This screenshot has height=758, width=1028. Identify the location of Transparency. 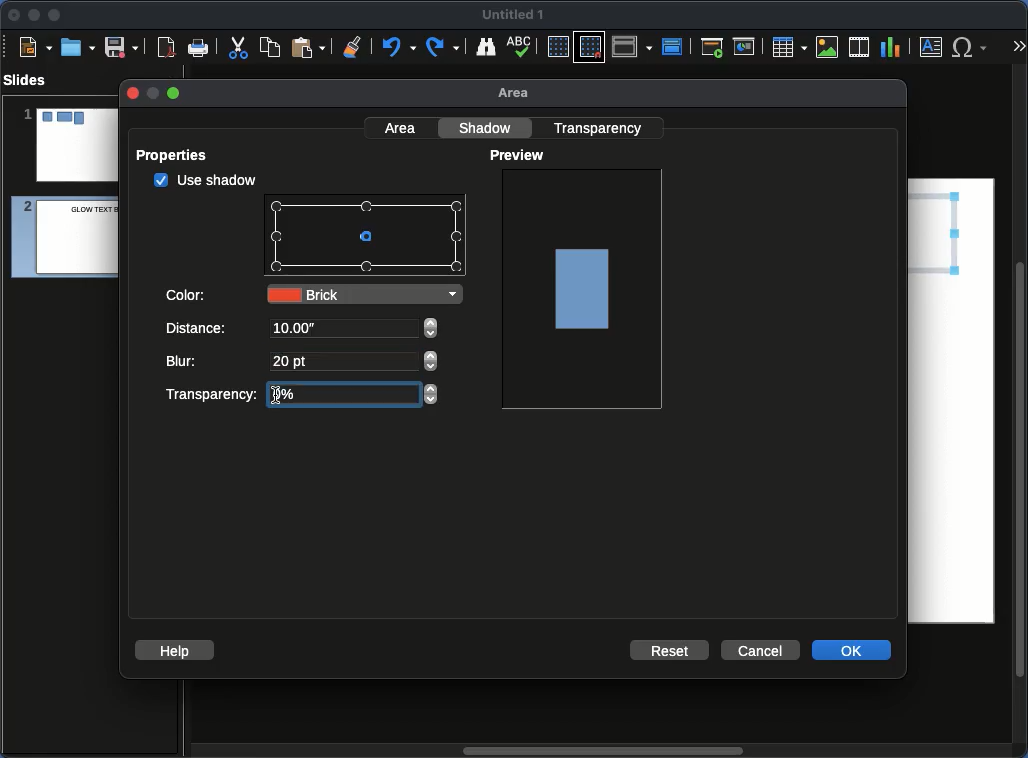
(601, 127).